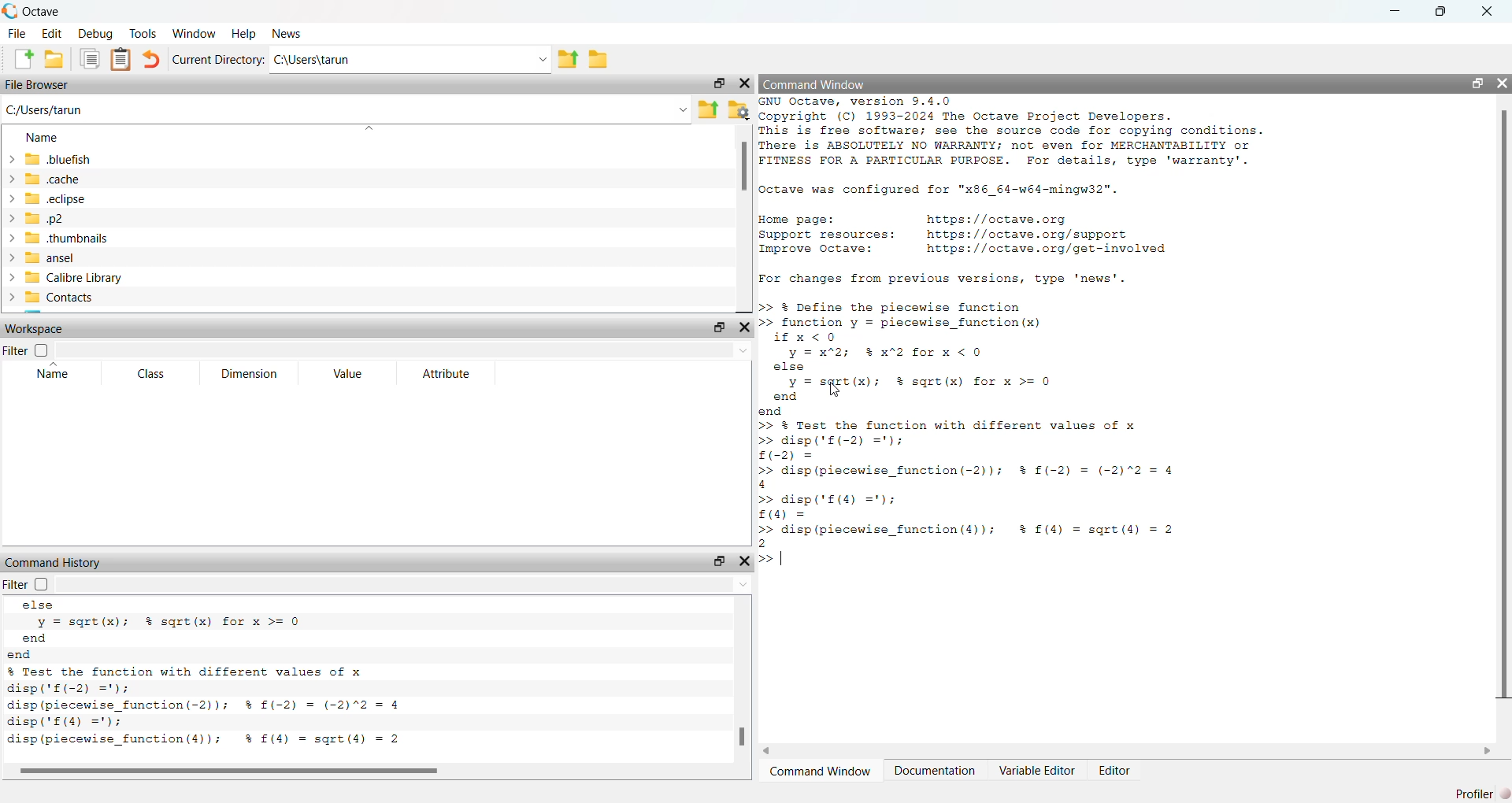 The height and width of the screenshot is (803, 1512). I want to click on Edit, so click(53, 34).